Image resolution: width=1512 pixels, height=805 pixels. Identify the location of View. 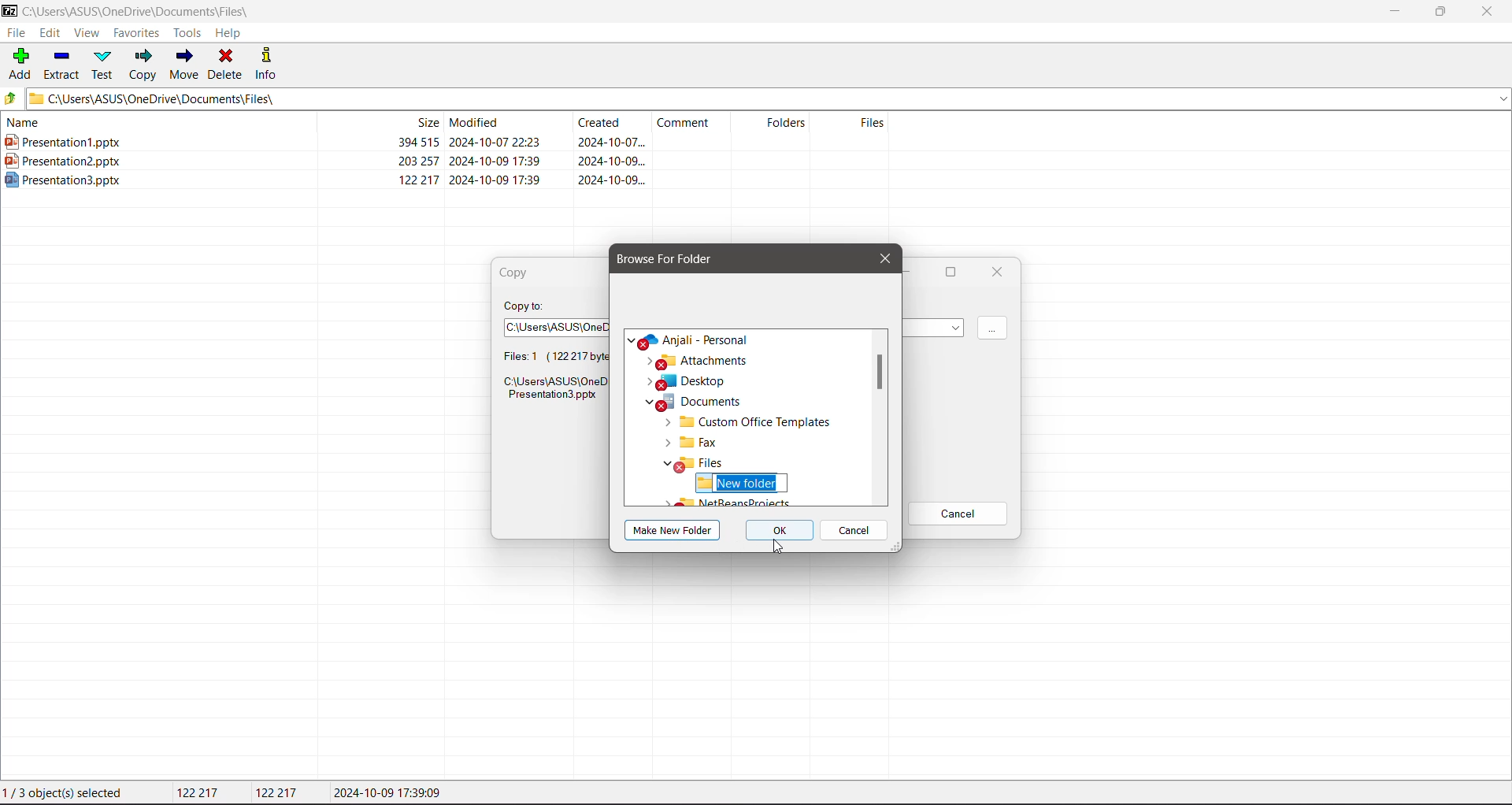
(86, 33).